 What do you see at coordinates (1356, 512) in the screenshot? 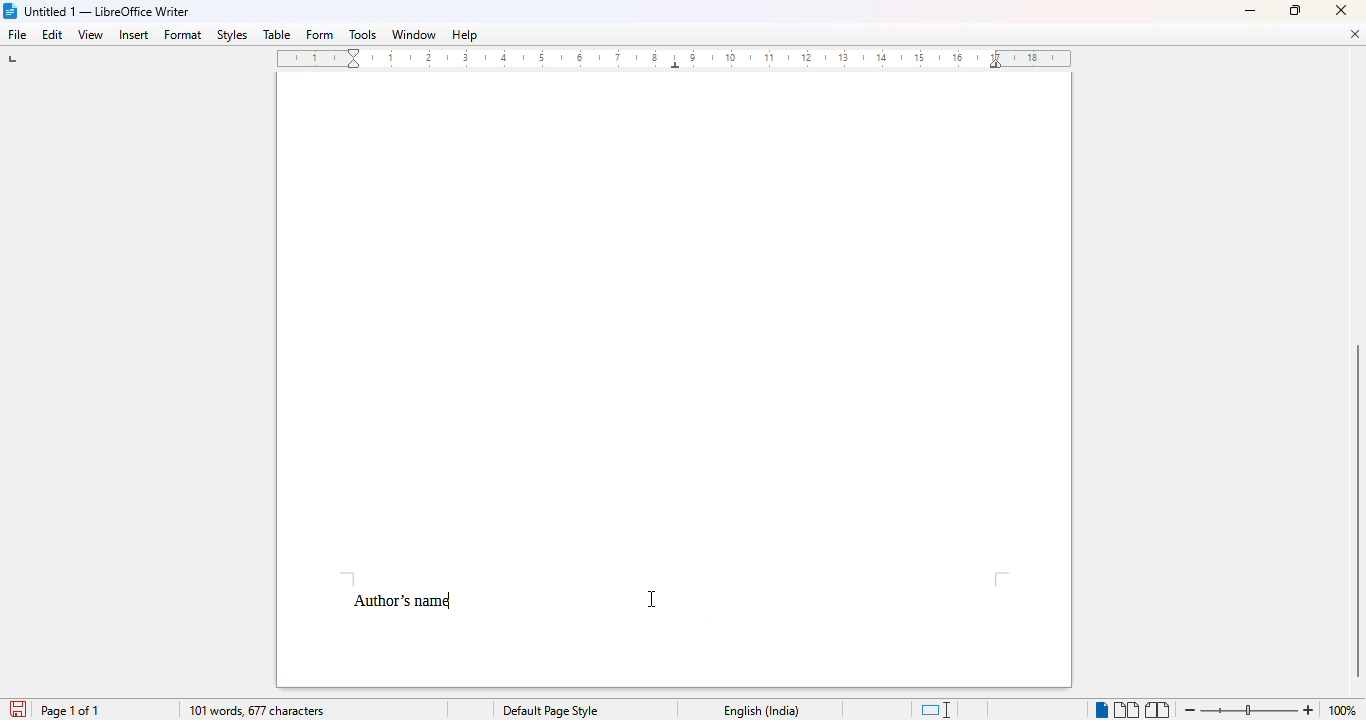
I see `vertical scroll bar` at bounding box center [1356, 512].